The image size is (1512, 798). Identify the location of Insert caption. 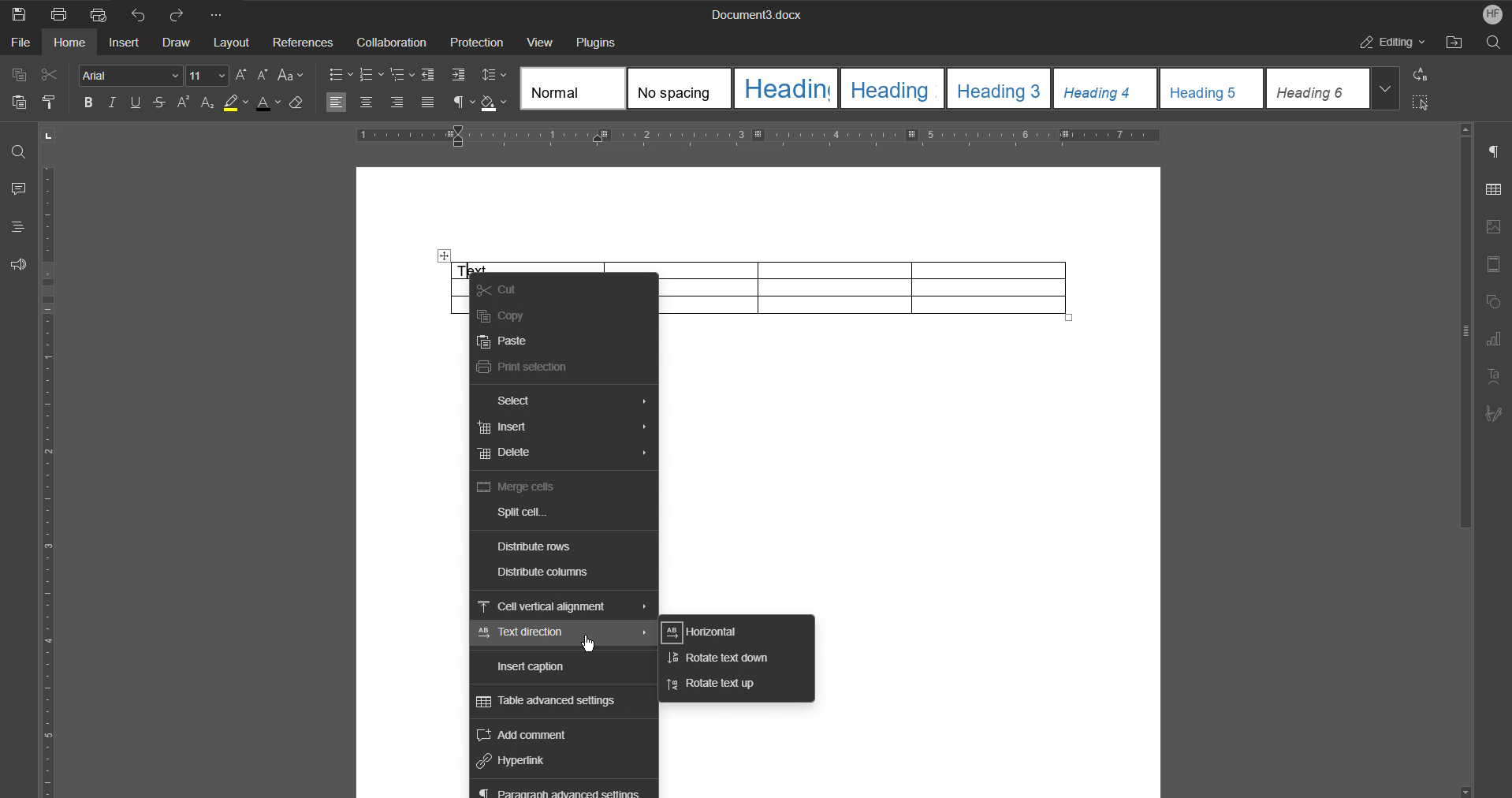
(534, 667).